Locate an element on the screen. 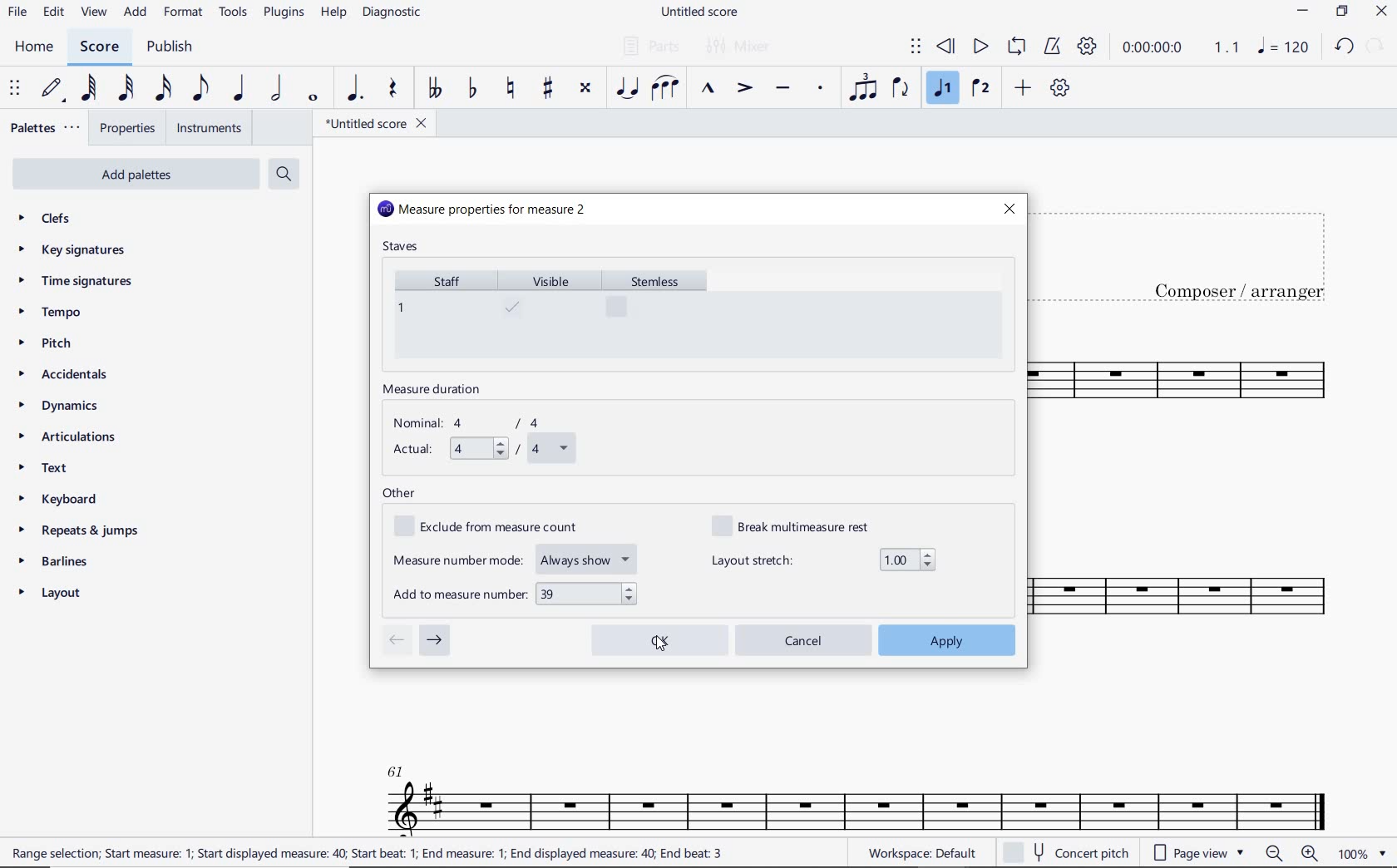 The height and width of the screenshot is (868, 1397). FILE NAME is located at coordinates (375, 123).